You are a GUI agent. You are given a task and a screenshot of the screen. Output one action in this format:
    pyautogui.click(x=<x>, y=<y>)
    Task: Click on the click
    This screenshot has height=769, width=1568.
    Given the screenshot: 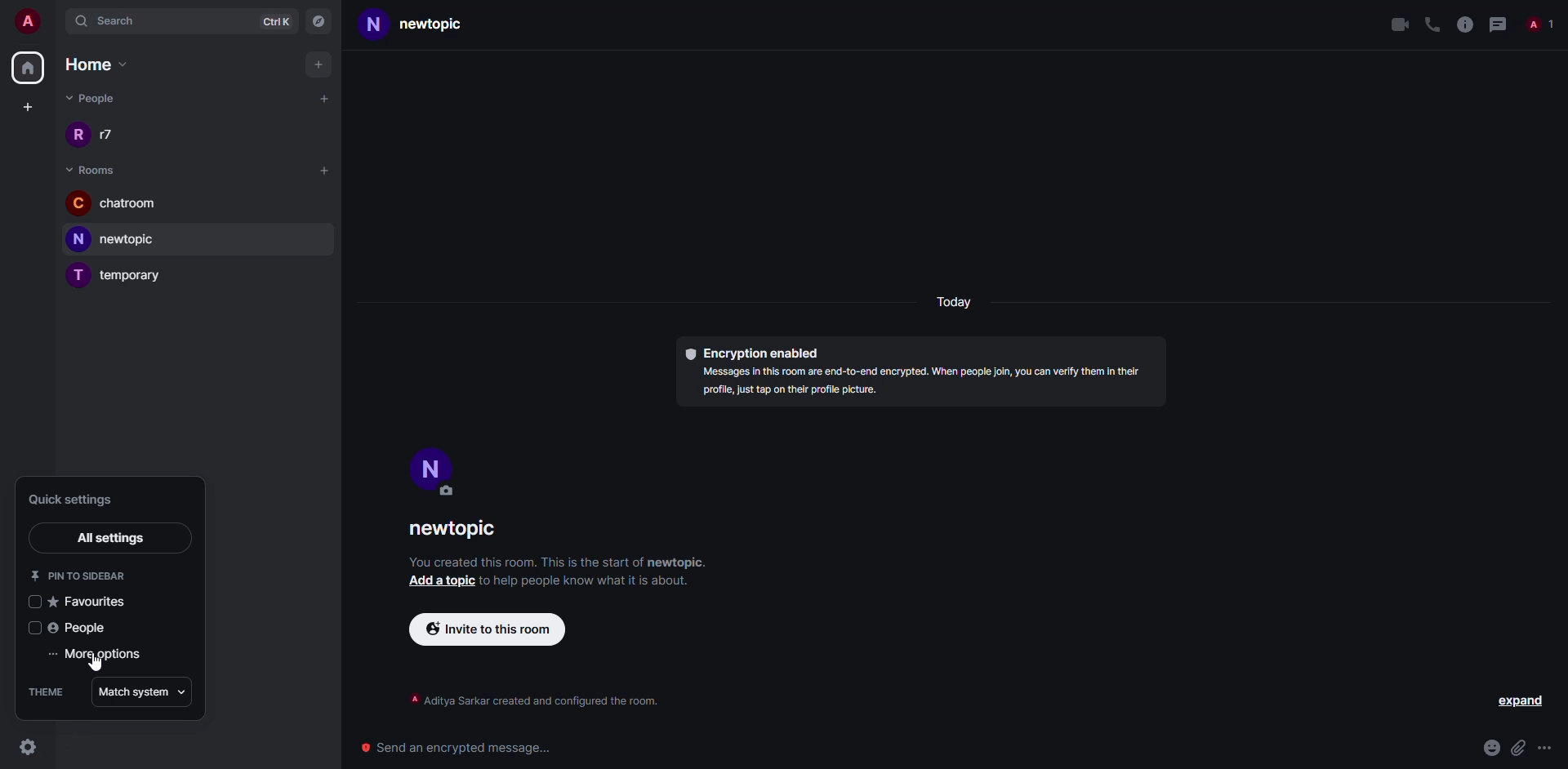 What is the action you would take?
    pyautogui.click(x=30, y=748)
    